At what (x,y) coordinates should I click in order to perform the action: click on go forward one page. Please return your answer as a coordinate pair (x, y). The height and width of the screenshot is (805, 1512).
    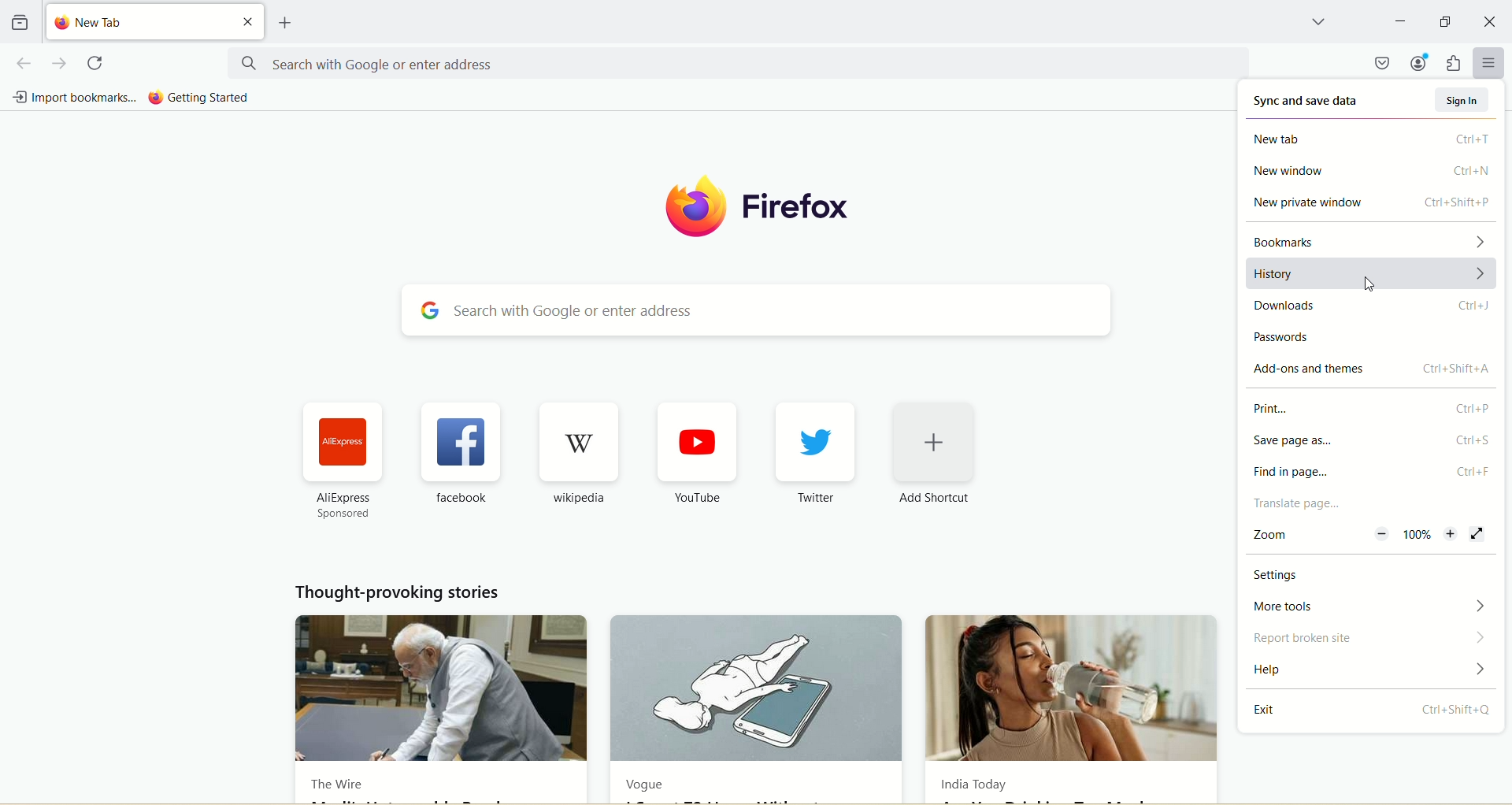
    Looking at the image, I should click on (58, 64).